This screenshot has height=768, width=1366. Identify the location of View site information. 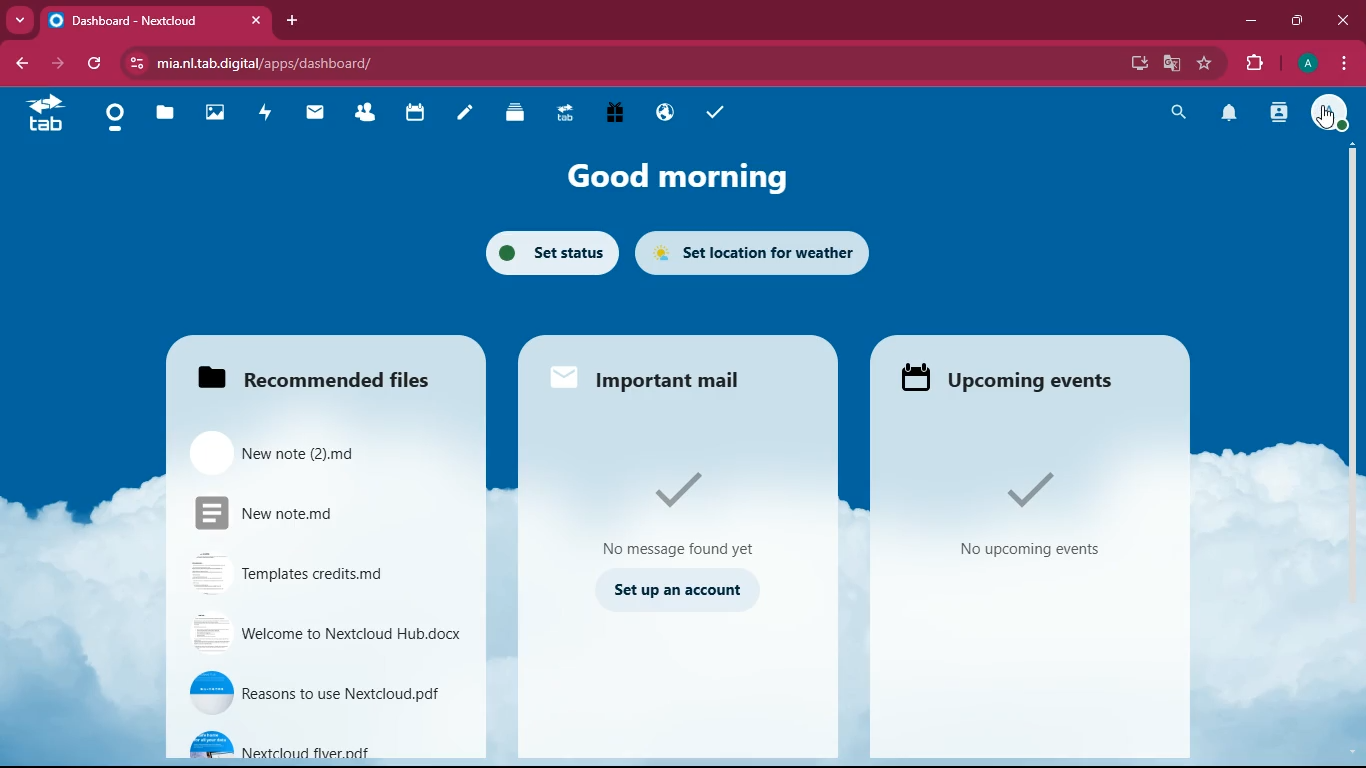
(133, 64).